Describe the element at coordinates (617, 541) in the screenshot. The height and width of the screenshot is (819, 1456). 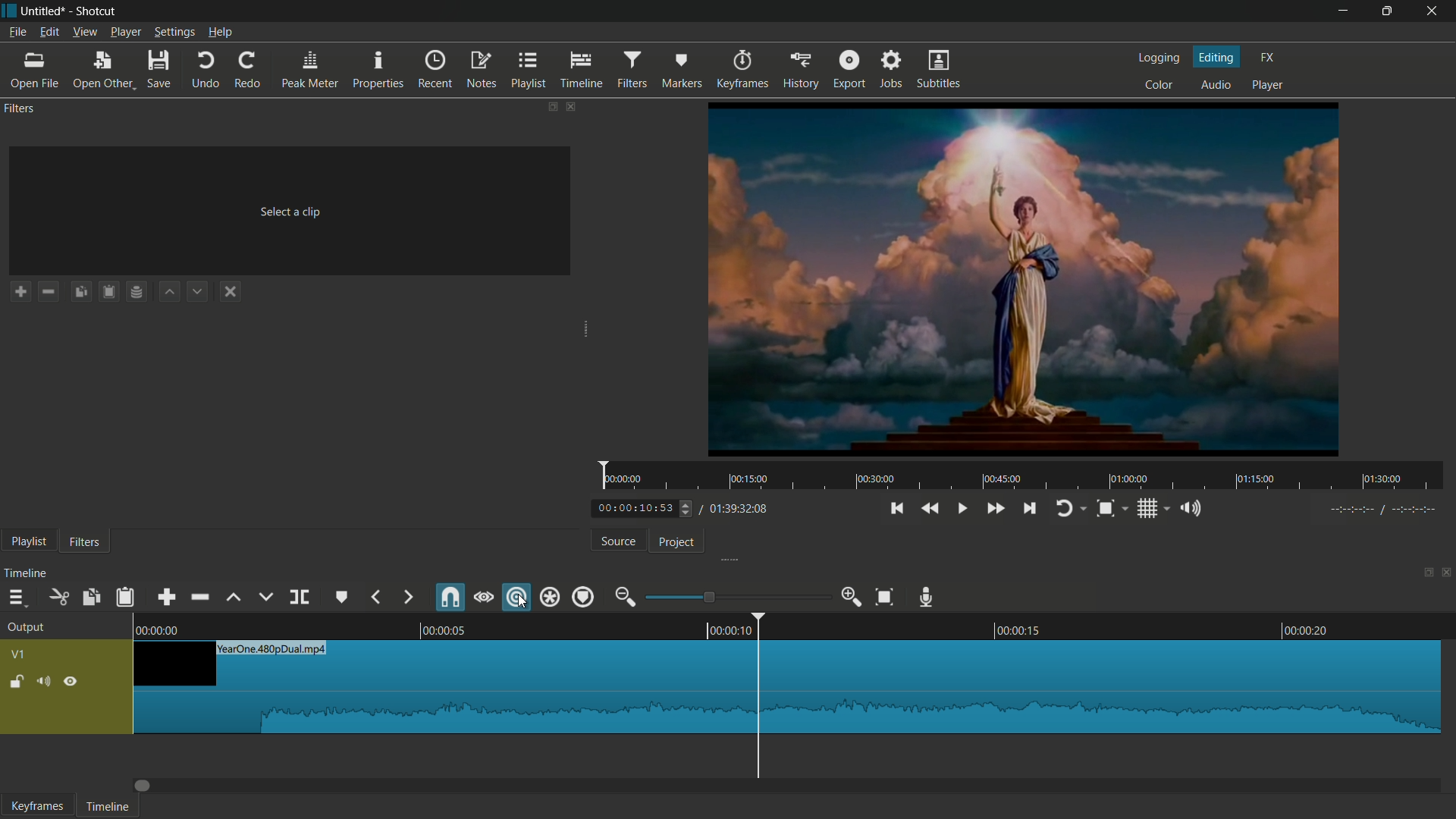
I see `source` at that location.